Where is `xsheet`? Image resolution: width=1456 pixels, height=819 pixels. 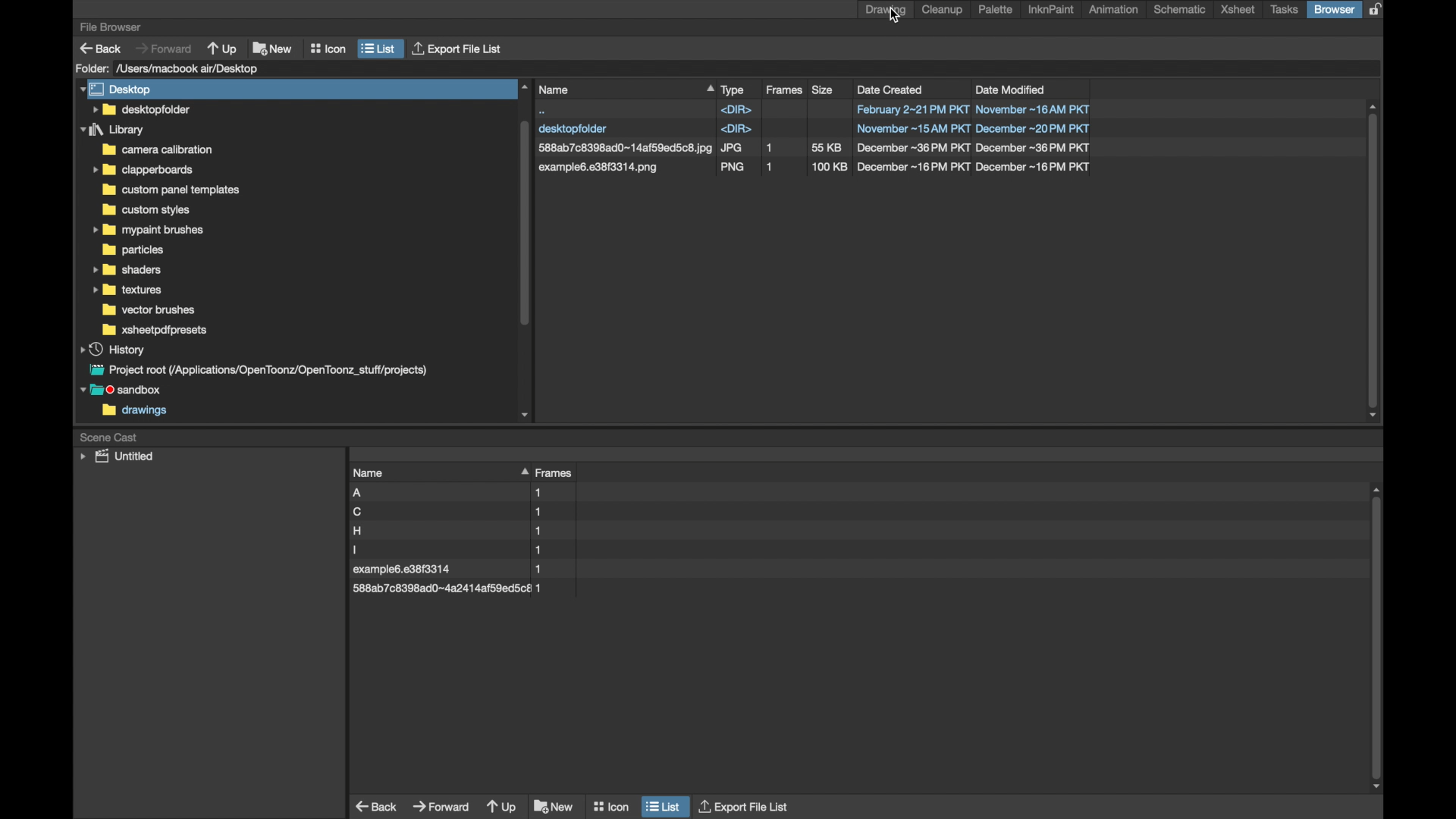 xsheet is located at coordinates (1238, 10).